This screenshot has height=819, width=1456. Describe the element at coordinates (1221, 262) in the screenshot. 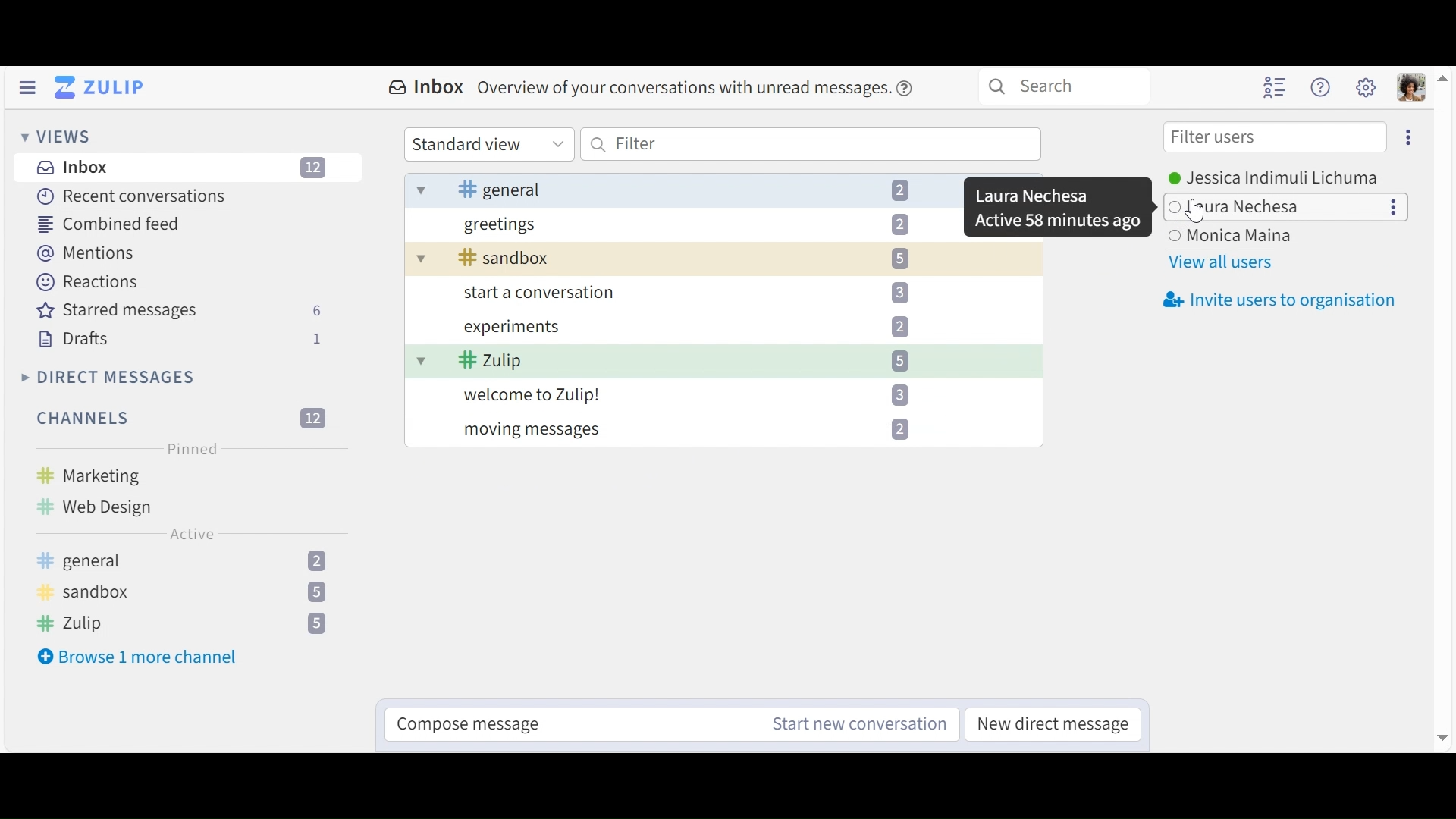

I see `View all users` at that location.